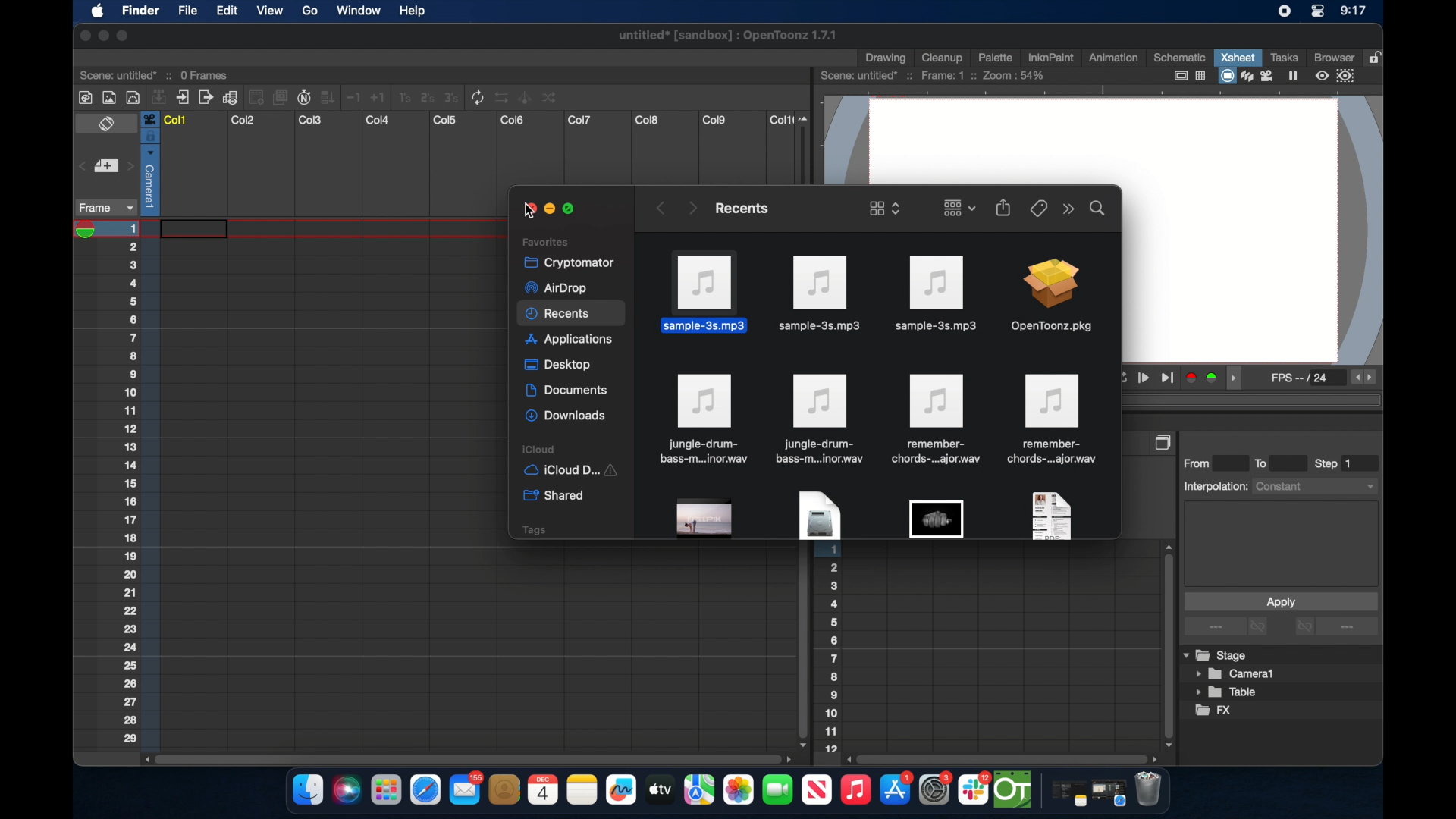 The image size is (1456, 819). Describe the element at coordinates (1200, 463) in the screenshot. I see `from` at that location.